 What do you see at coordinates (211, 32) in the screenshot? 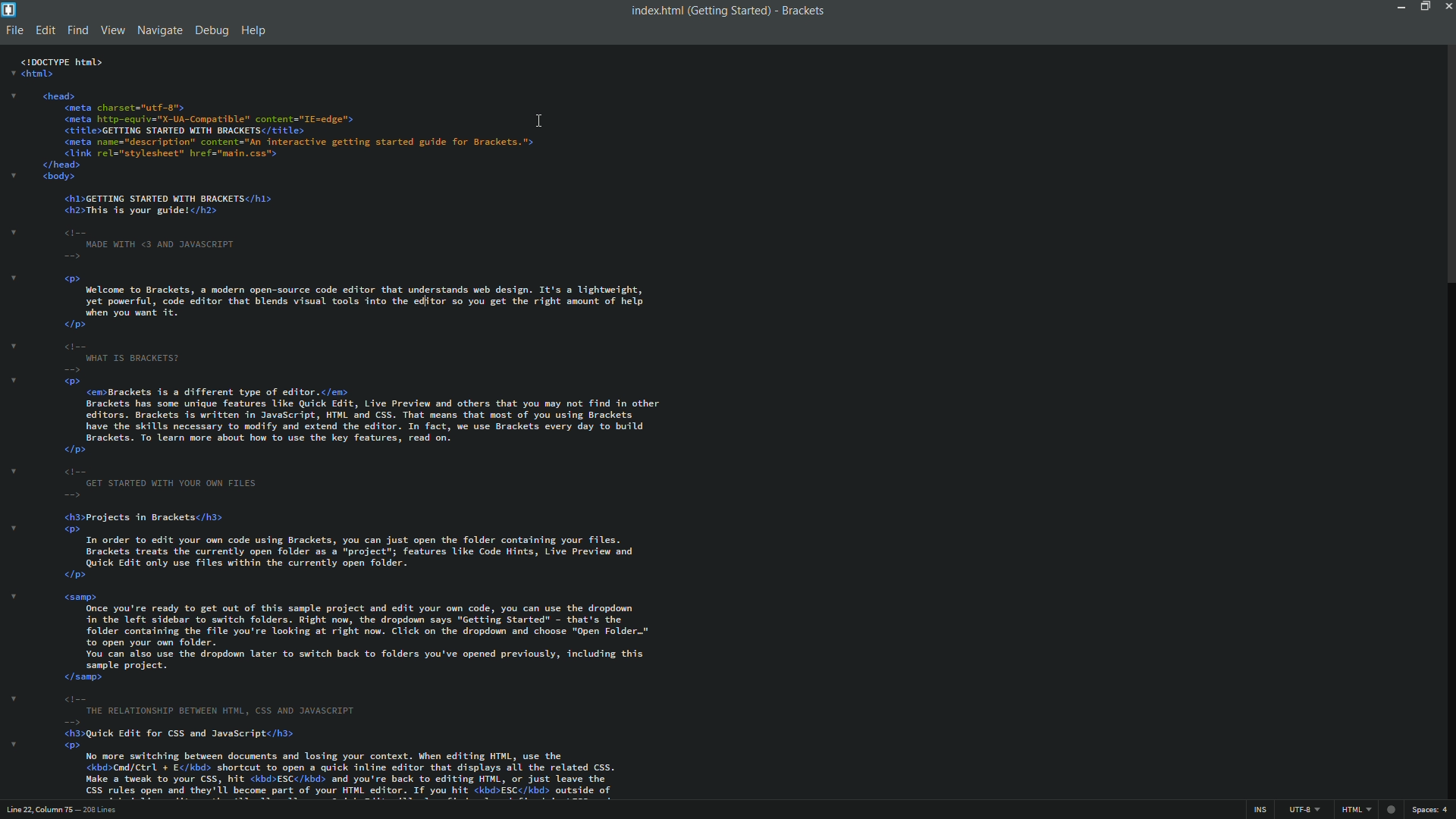
I see `debug` at bounding box center [211, 32].